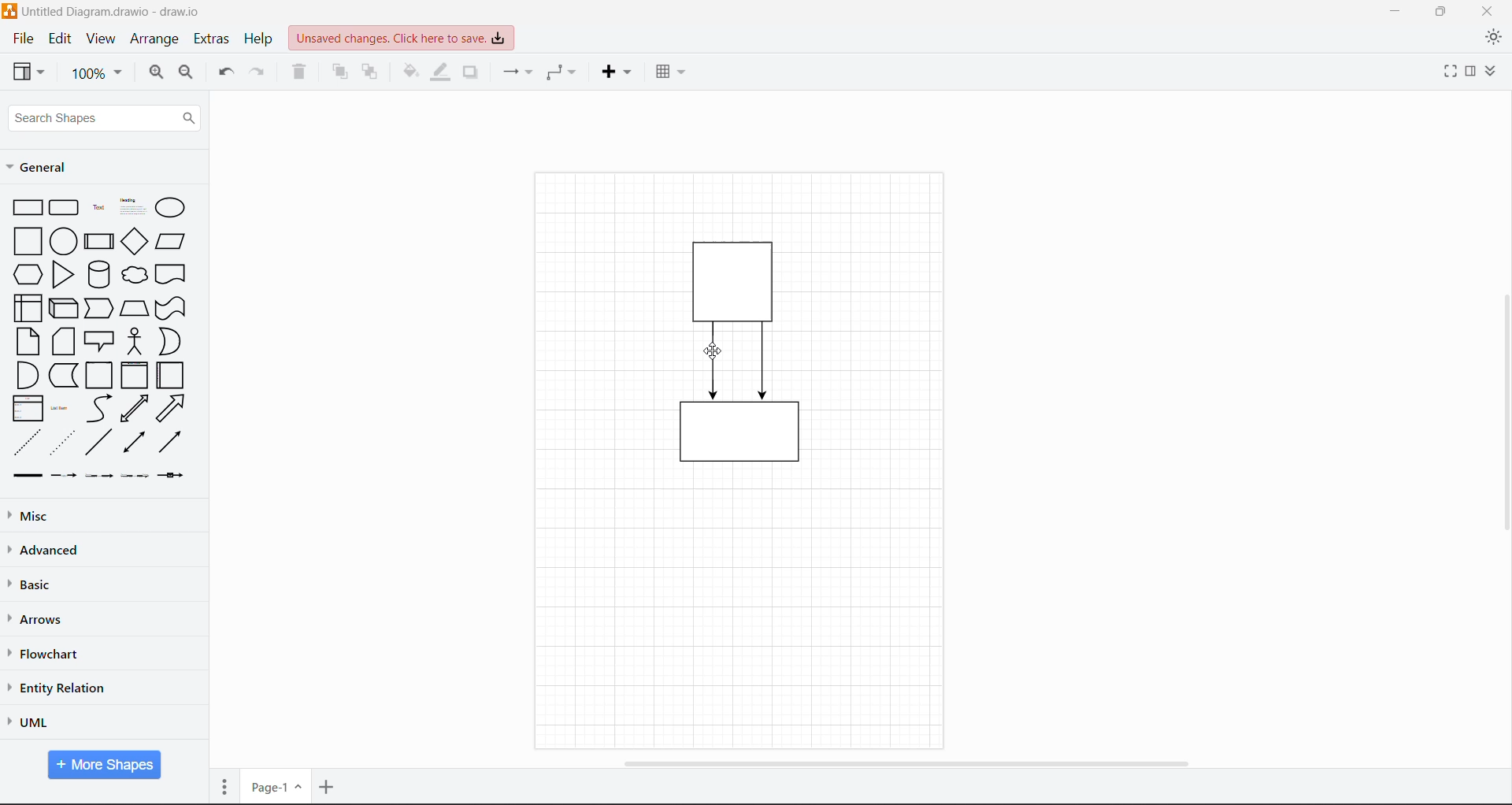 The height and width of the screenshot is (805, 1512). Describe the element at coordinates (43, 167) in the screenshot. I see `General` at that location.